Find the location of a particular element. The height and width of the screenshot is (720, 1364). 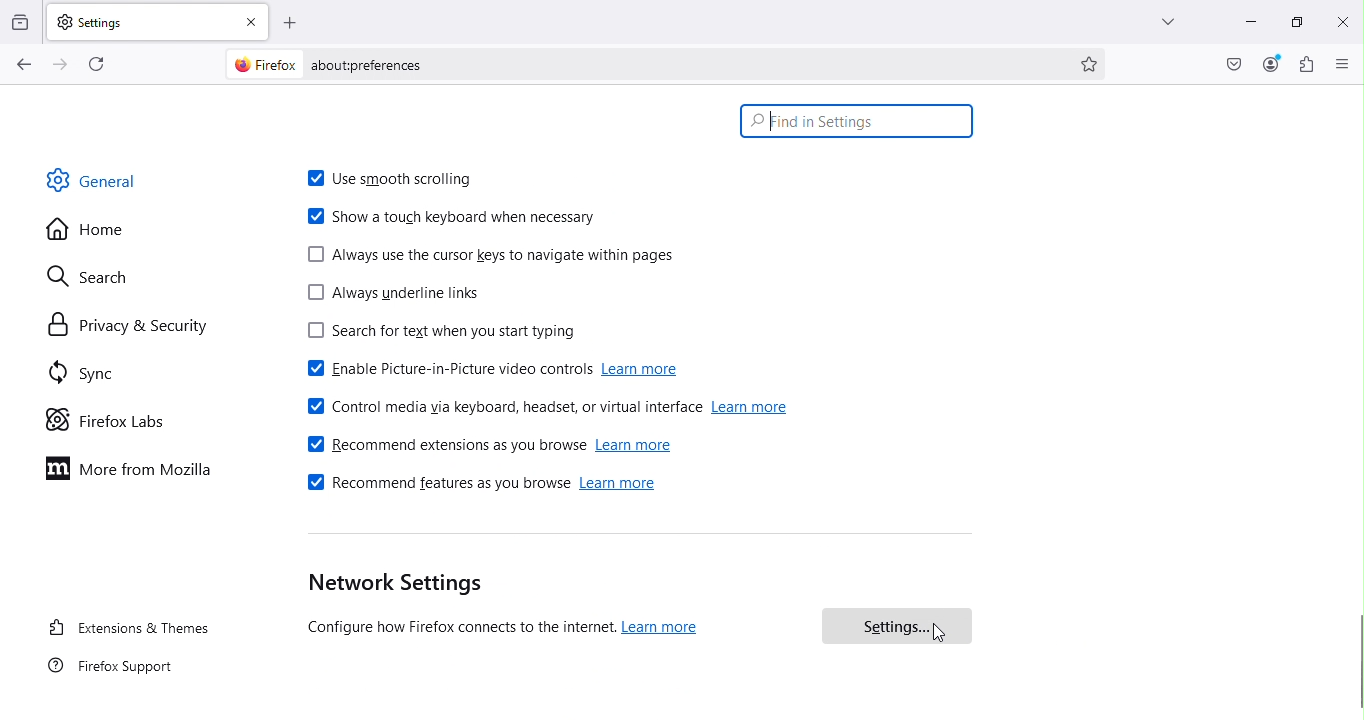

Maximize is located at coordinates (1294, 20).